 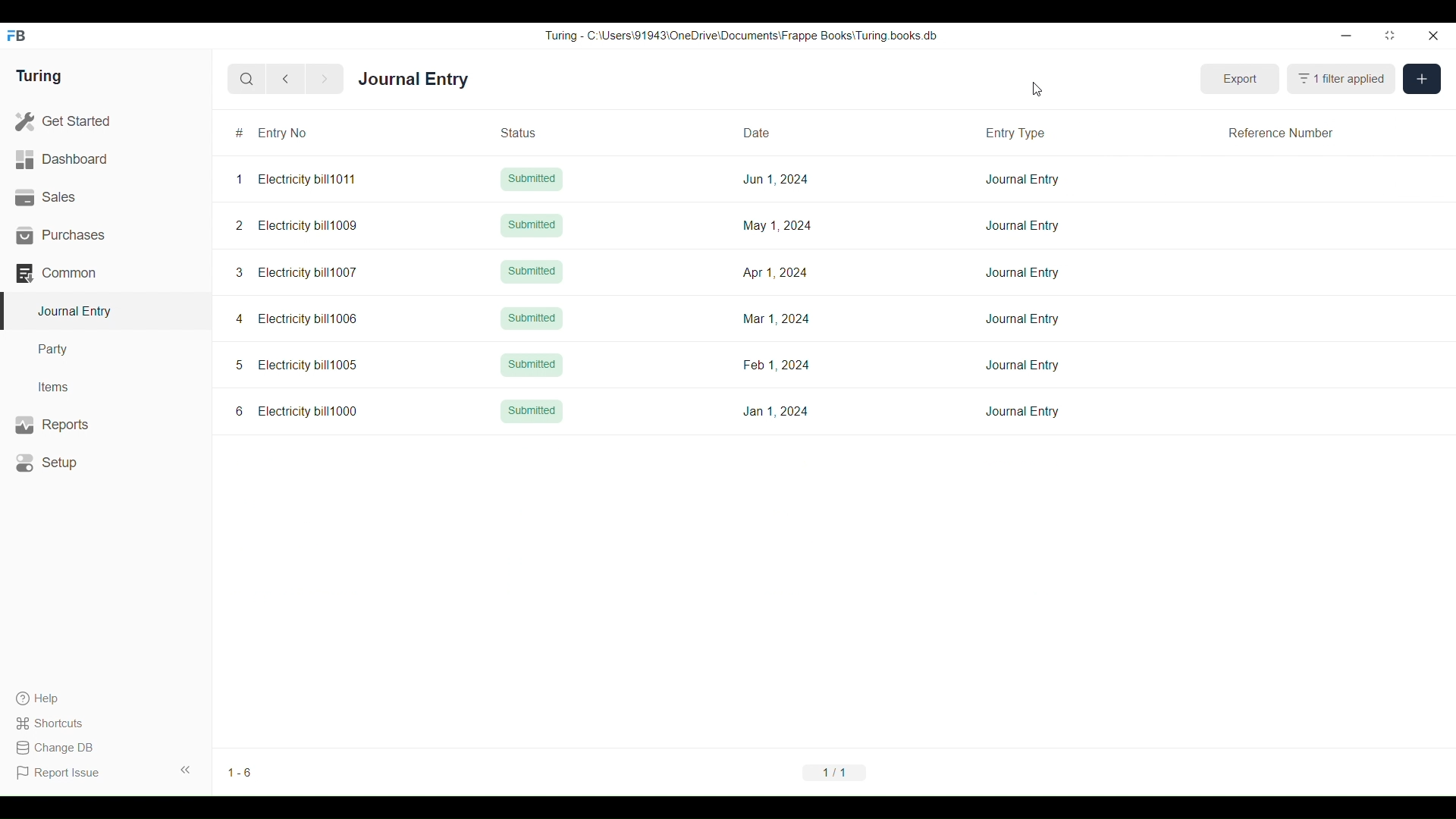 What do you see at coordinates (1241, 79) in the screenshot?
I see `Export` at bounding box center [1241, 79].